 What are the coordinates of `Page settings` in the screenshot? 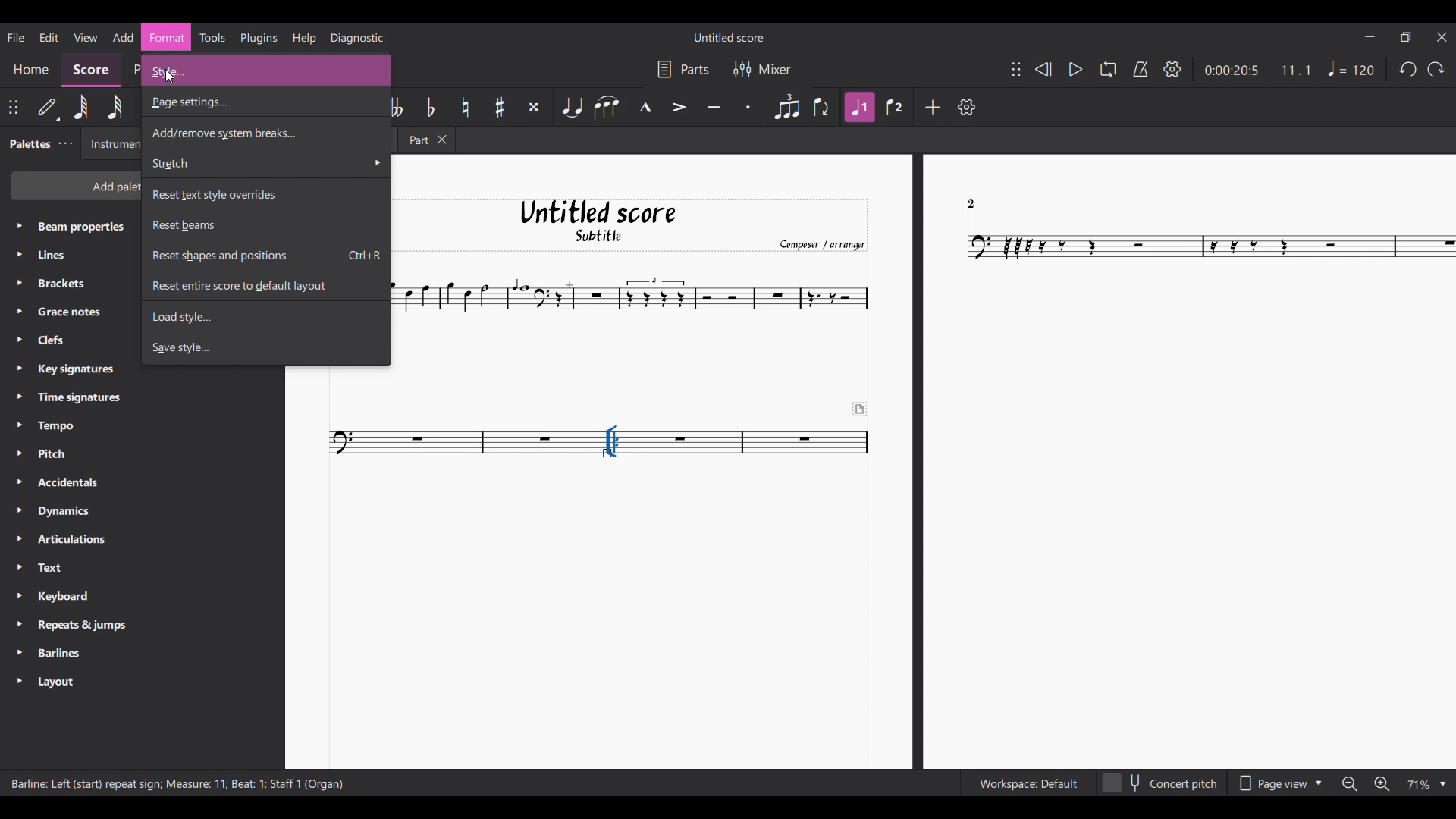 It's located at (265, 103).